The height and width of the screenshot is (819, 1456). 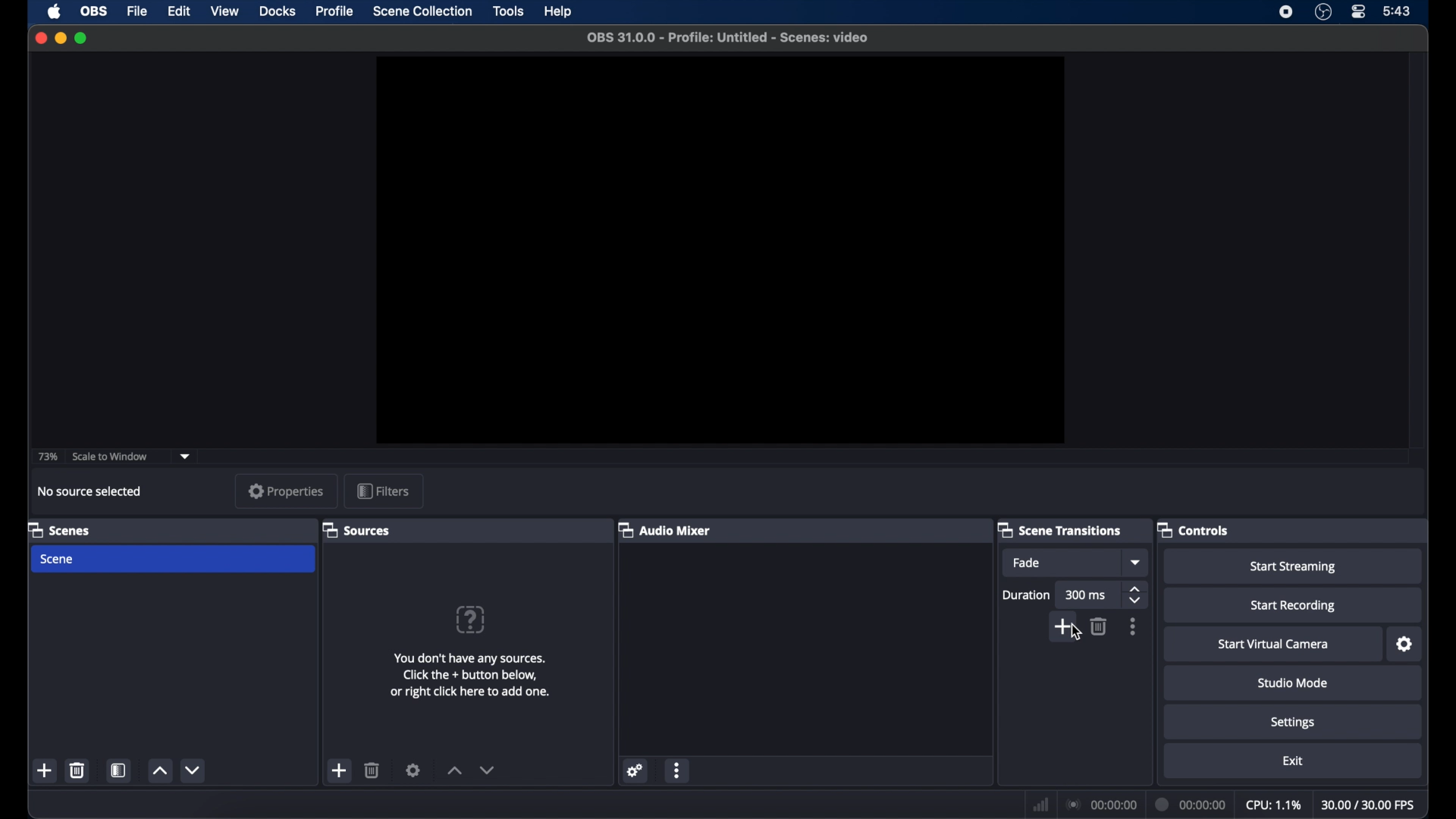 I want to click on maximize, so click(x=83, y=38).